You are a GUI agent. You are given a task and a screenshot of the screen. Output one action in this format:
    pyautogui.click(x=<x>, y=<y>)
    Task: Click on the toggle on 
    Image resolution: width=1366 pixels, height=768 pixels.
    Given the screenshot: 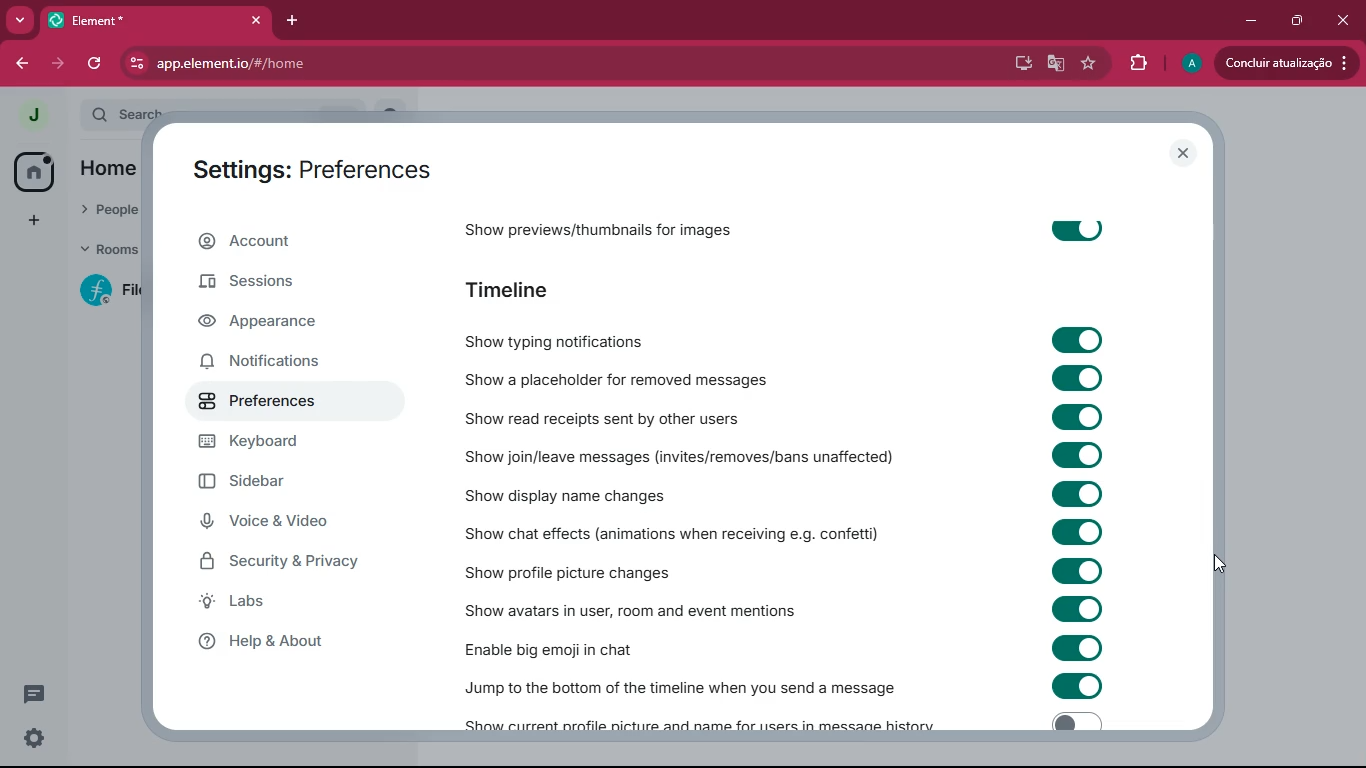 What is the action you would take?
    pyautogui.click(x=1076, y=607)
    